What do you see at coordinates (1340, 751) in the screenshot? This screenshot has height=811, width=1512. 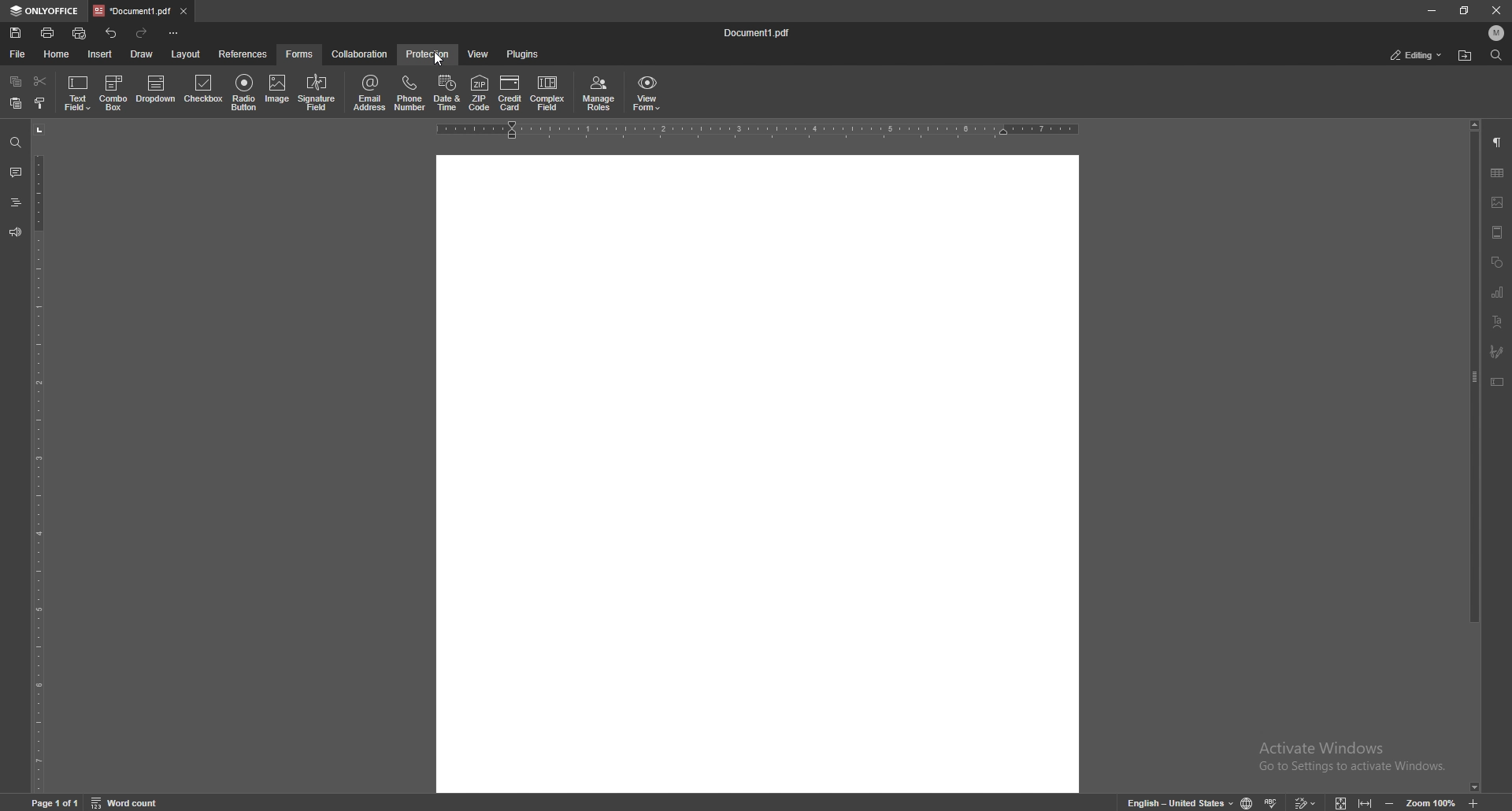 I see `Activate windows` at bounding box center [1340, 751].